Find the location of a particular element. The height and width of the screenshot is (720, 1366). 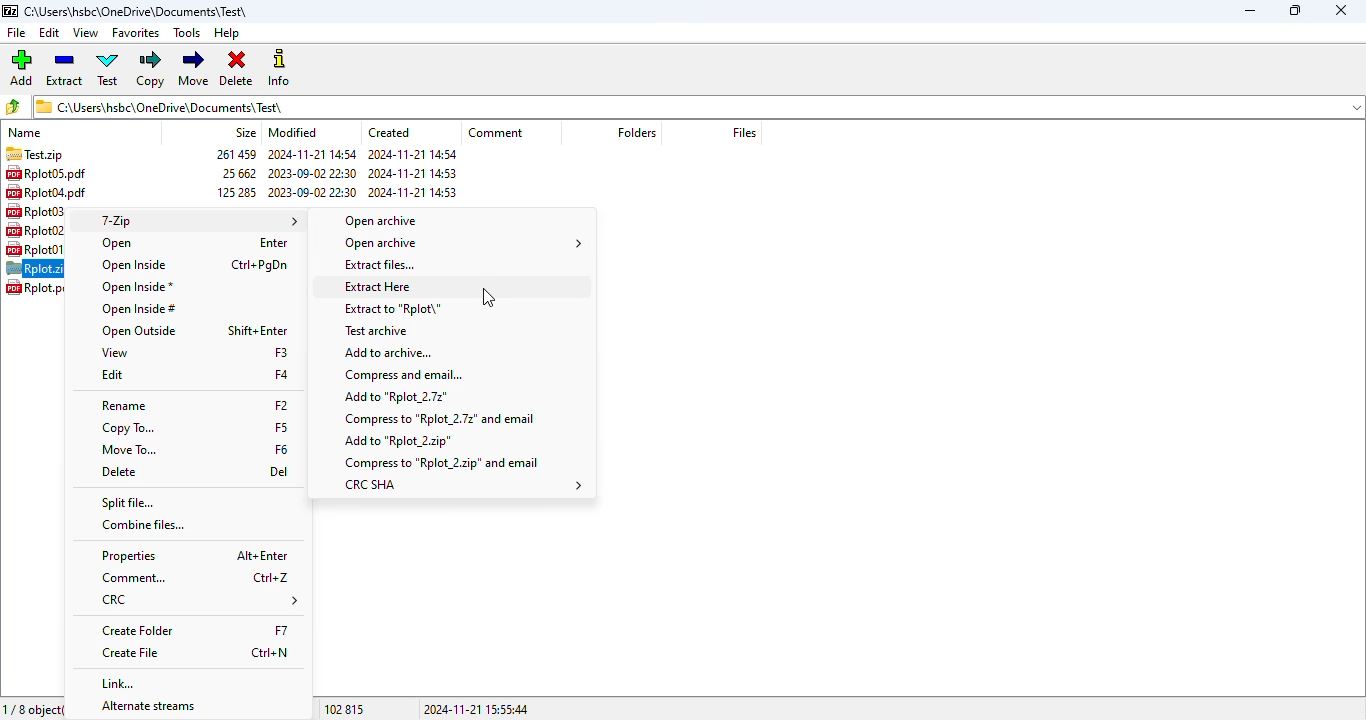

modified date & time is located at coordinates (312, 175).